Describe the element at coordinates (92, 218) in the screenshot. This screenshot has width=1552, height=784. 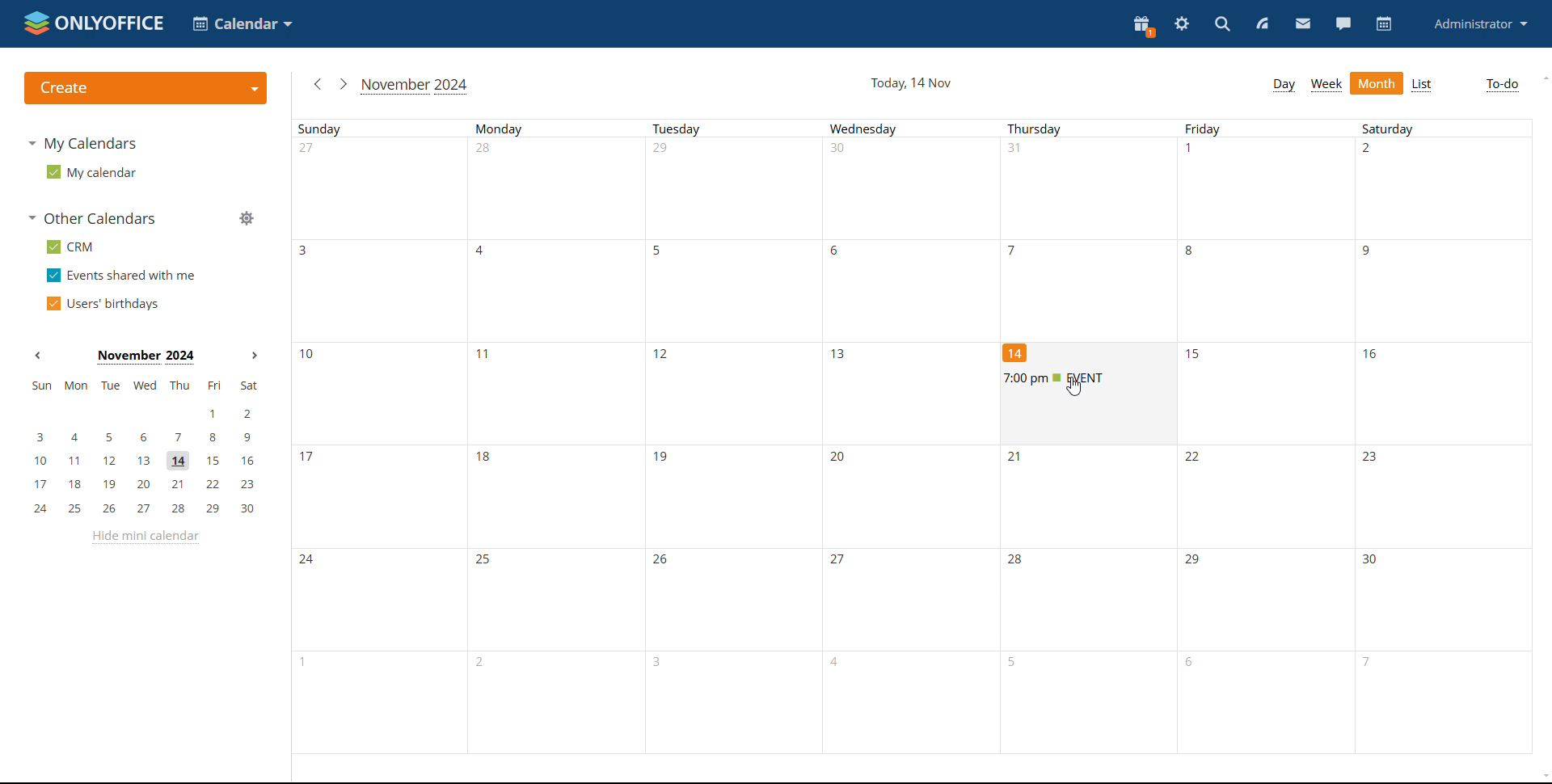
I see `other calendars` at that location.